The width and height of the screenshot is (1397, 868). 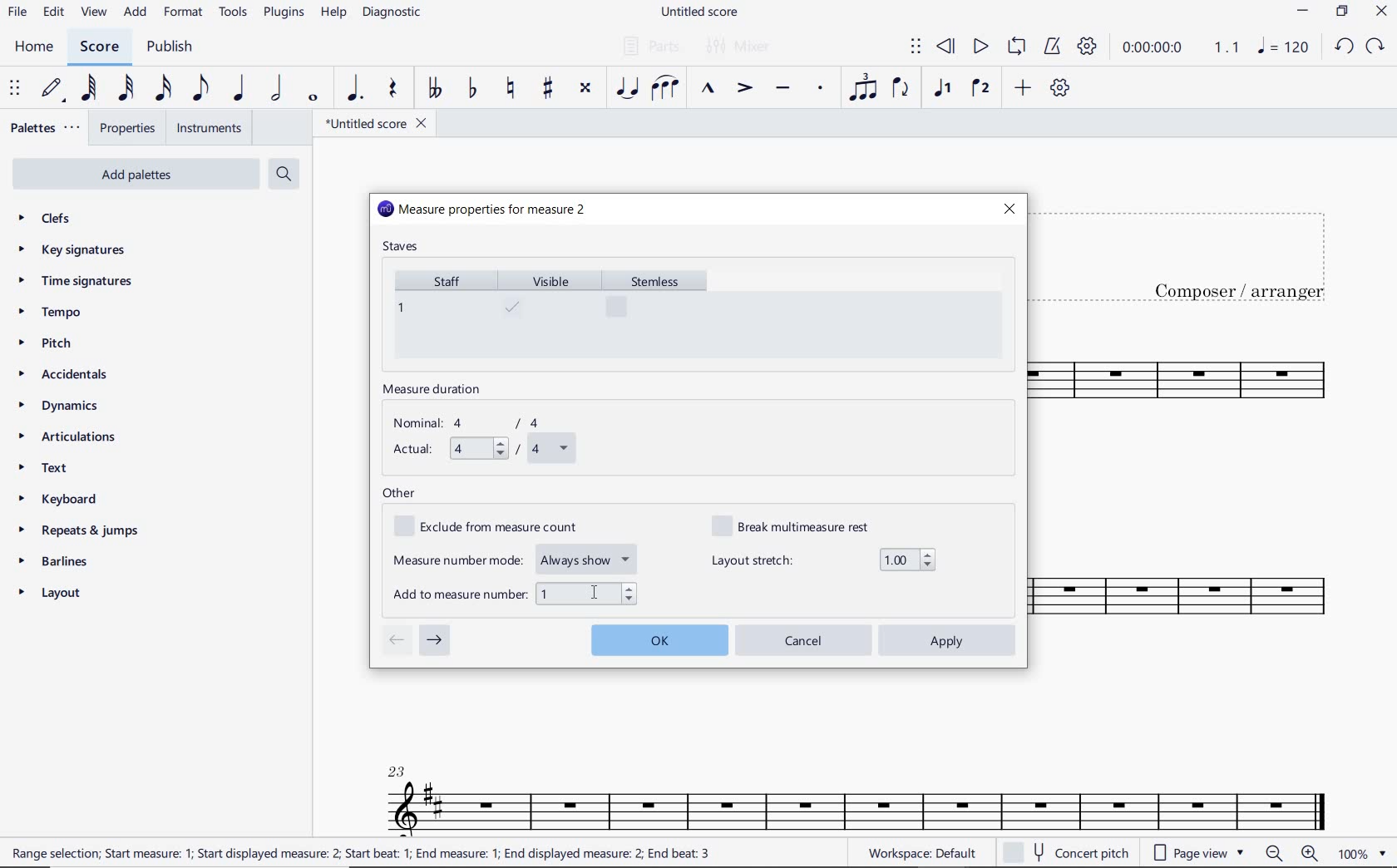 I want to click on REST, so click(x=393, y=91).